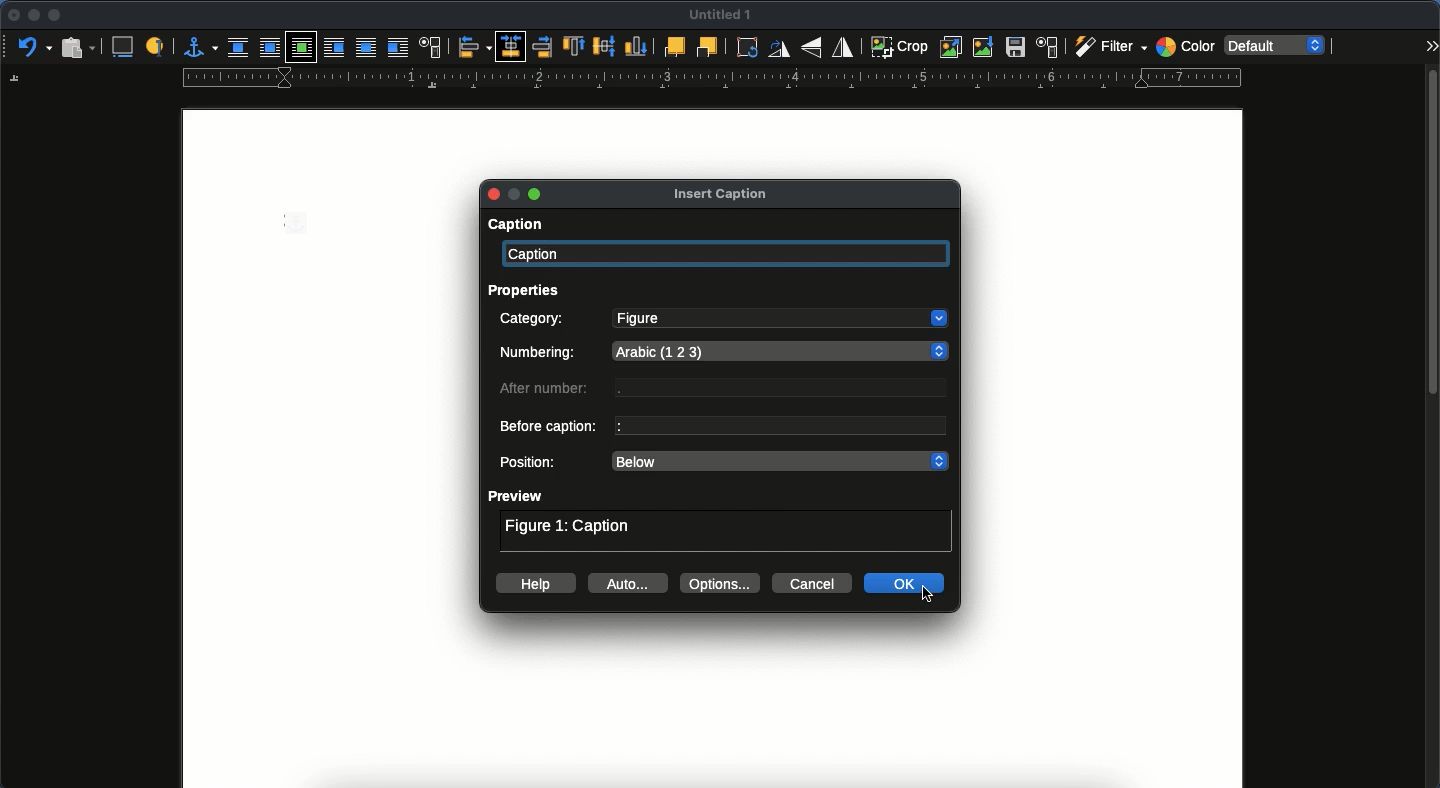 The width and height of the screenshot is (1440, 788). Describe the element at coordinates (537, 195) in the screenshot. I see `maximize` at that location.